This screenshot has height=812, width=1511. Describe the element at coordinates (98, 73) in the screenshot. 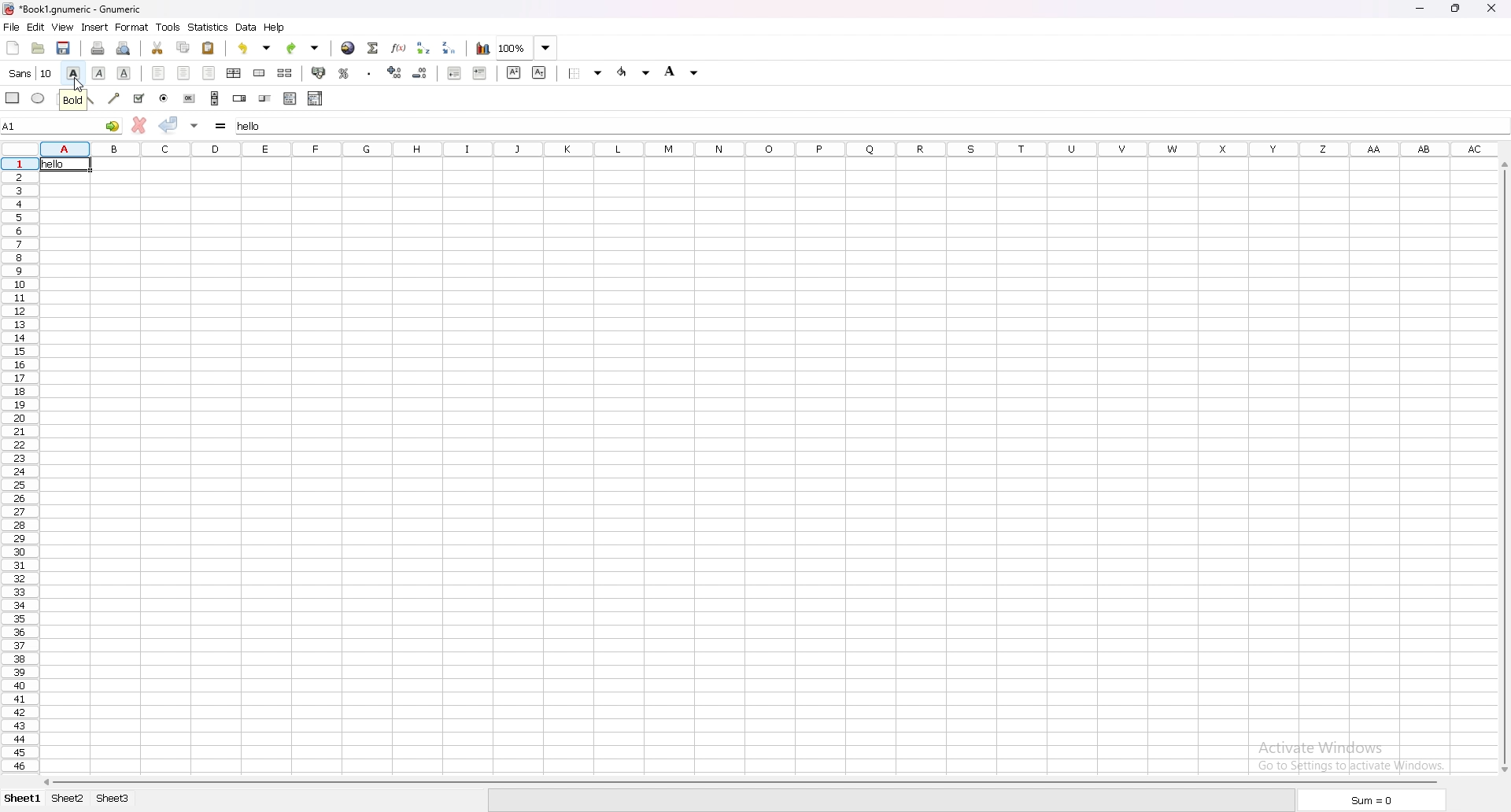

I see `italic` at that location.